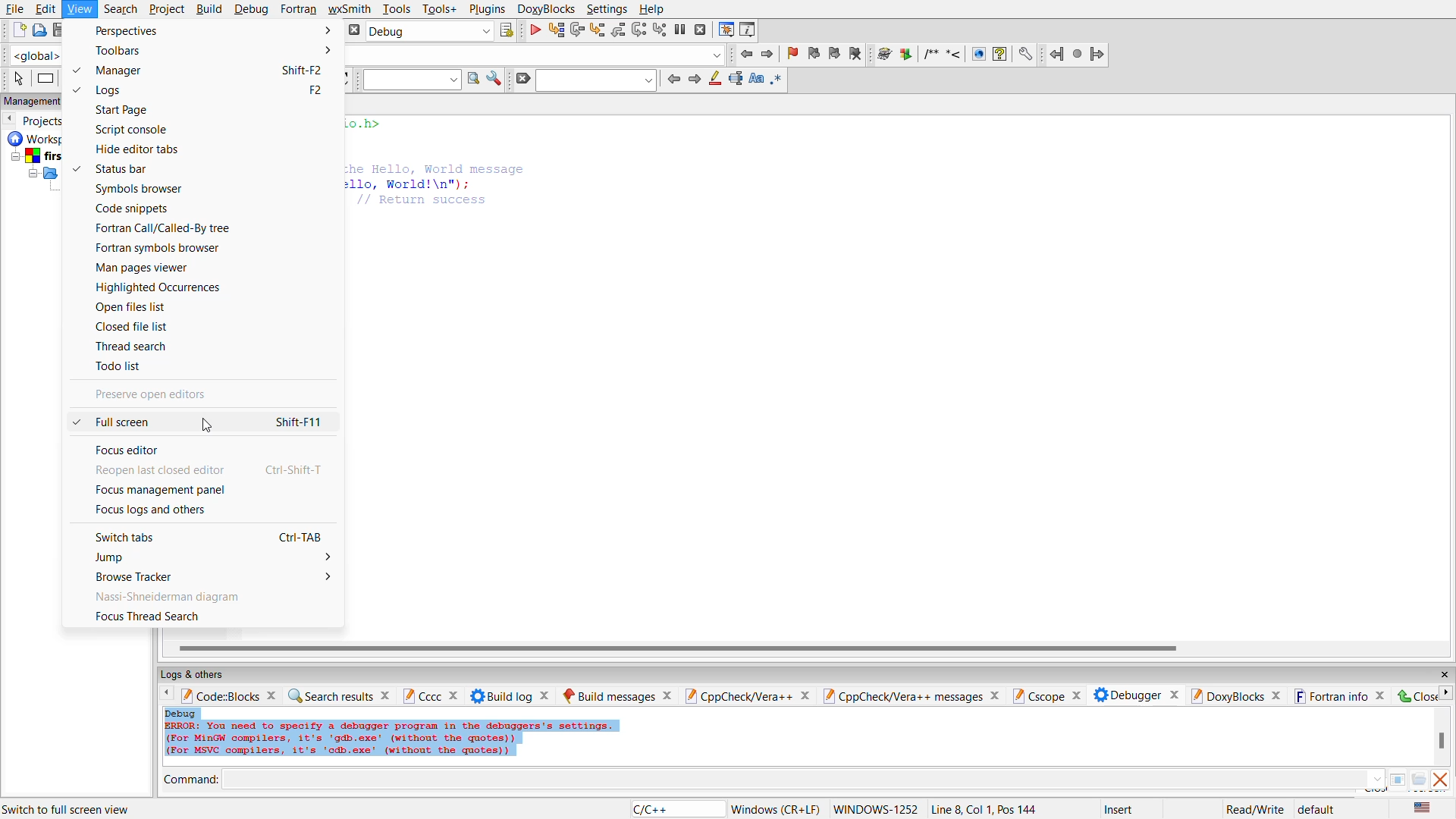  I want to click on jump back, so click(743, 55).